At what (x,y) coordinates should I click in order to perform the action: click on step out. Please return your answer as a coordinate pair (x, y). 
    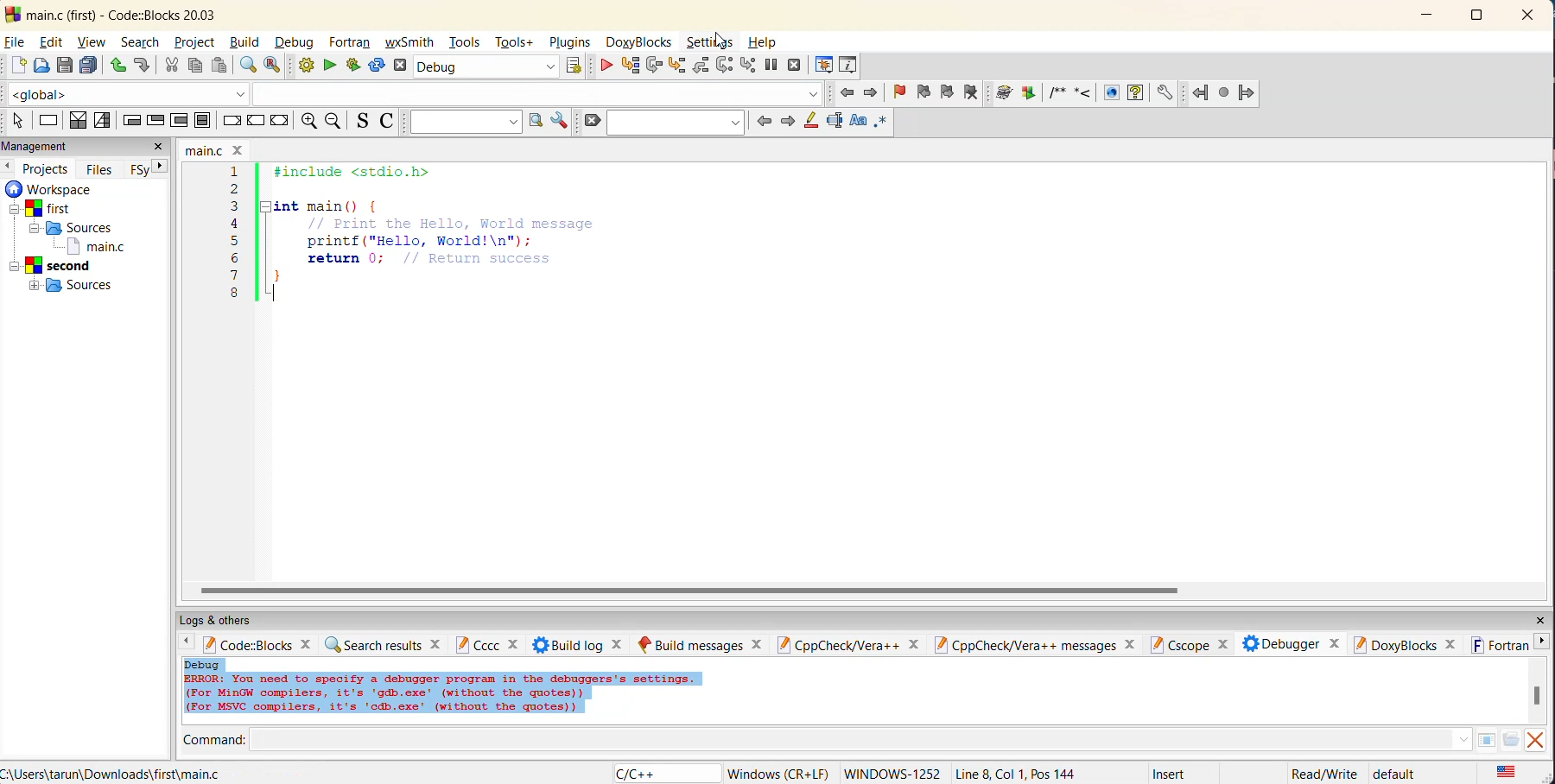
    Looking at the image, I should click on (698, 66).